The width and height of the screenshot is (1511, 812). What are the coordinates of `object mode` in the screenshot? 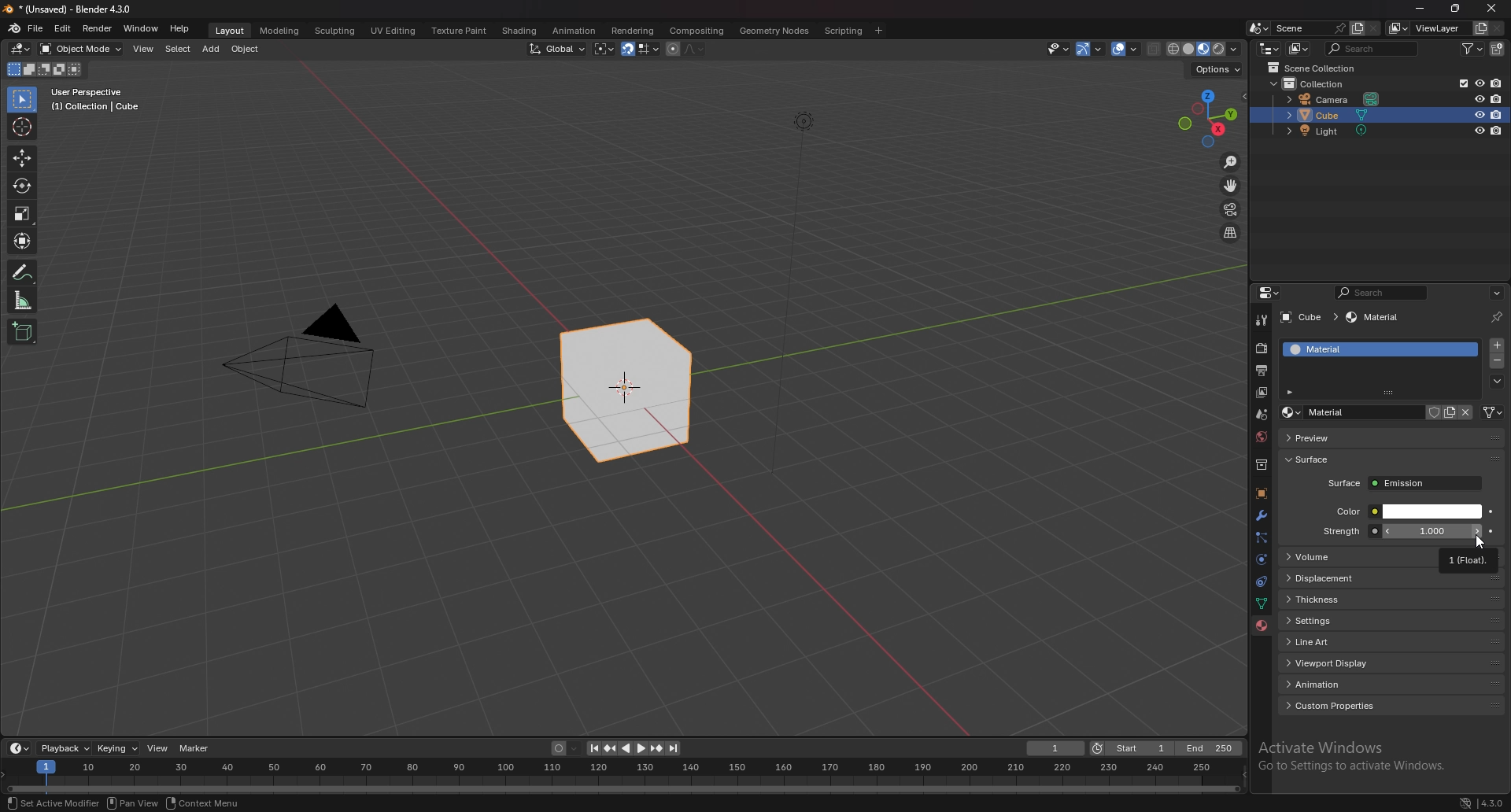 It's located at (82, 48).